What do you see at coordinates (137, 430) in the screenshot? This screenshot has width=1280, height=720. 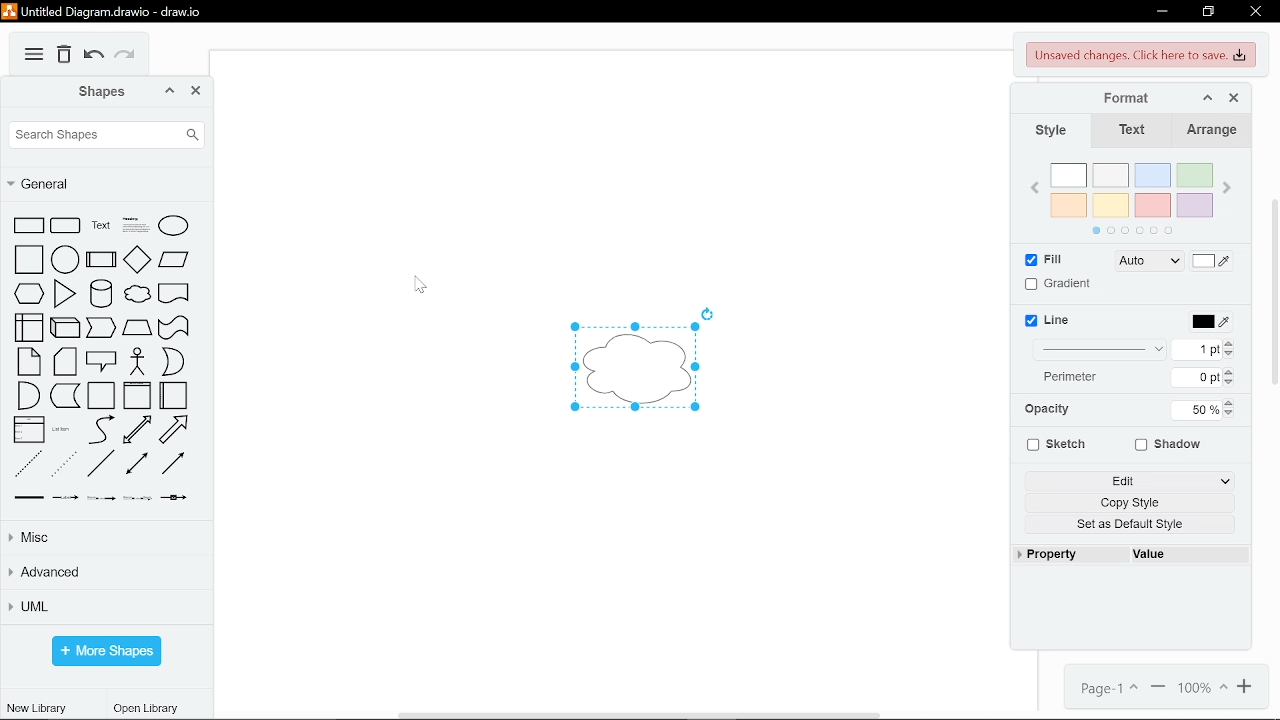 I see `bidirectional arrow` at bounding box center [137, 430].